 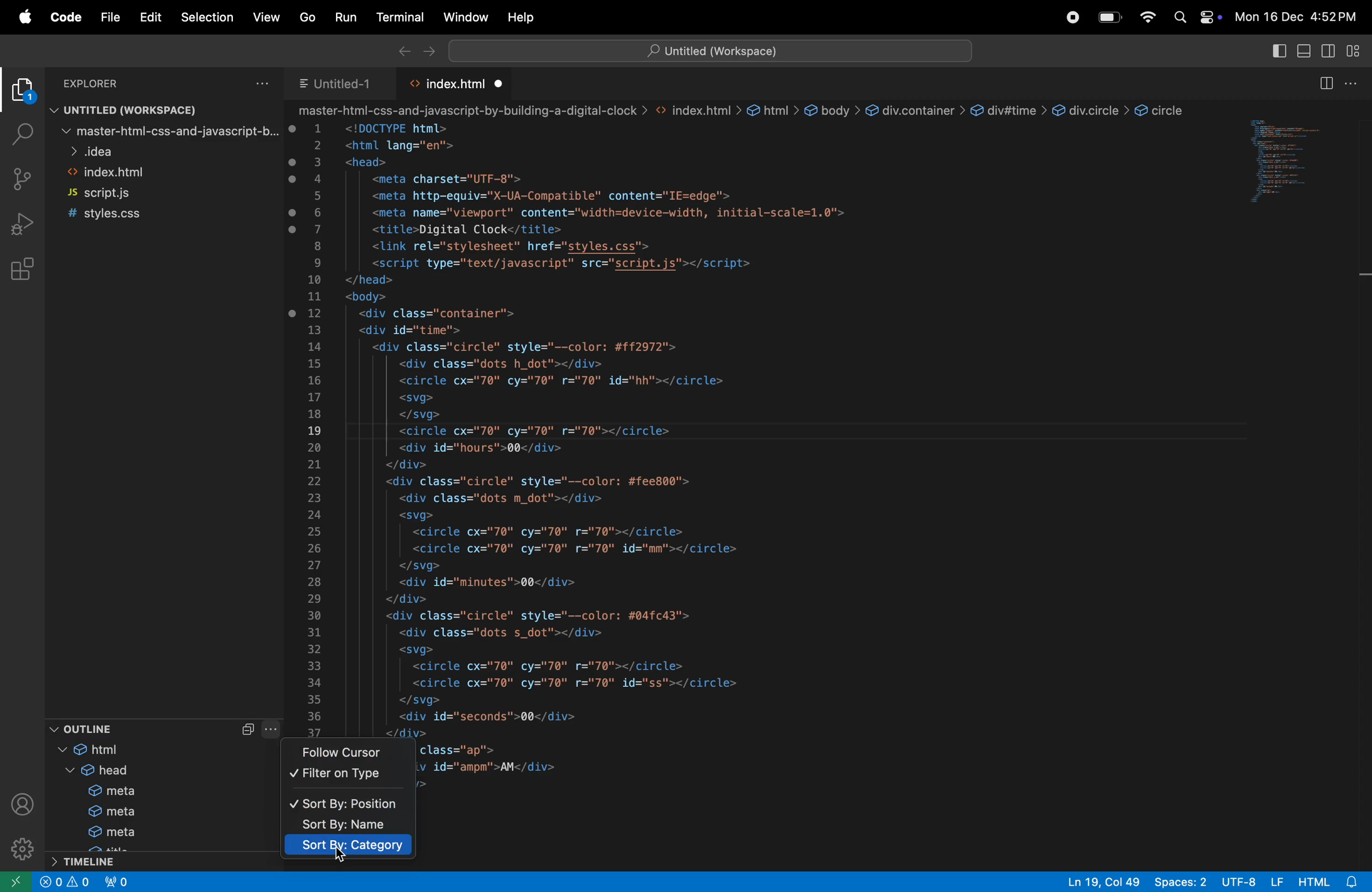 What do you see at coordinates (342, 18) in the screenshot?
I see `run` at bounding box center [342, 18].